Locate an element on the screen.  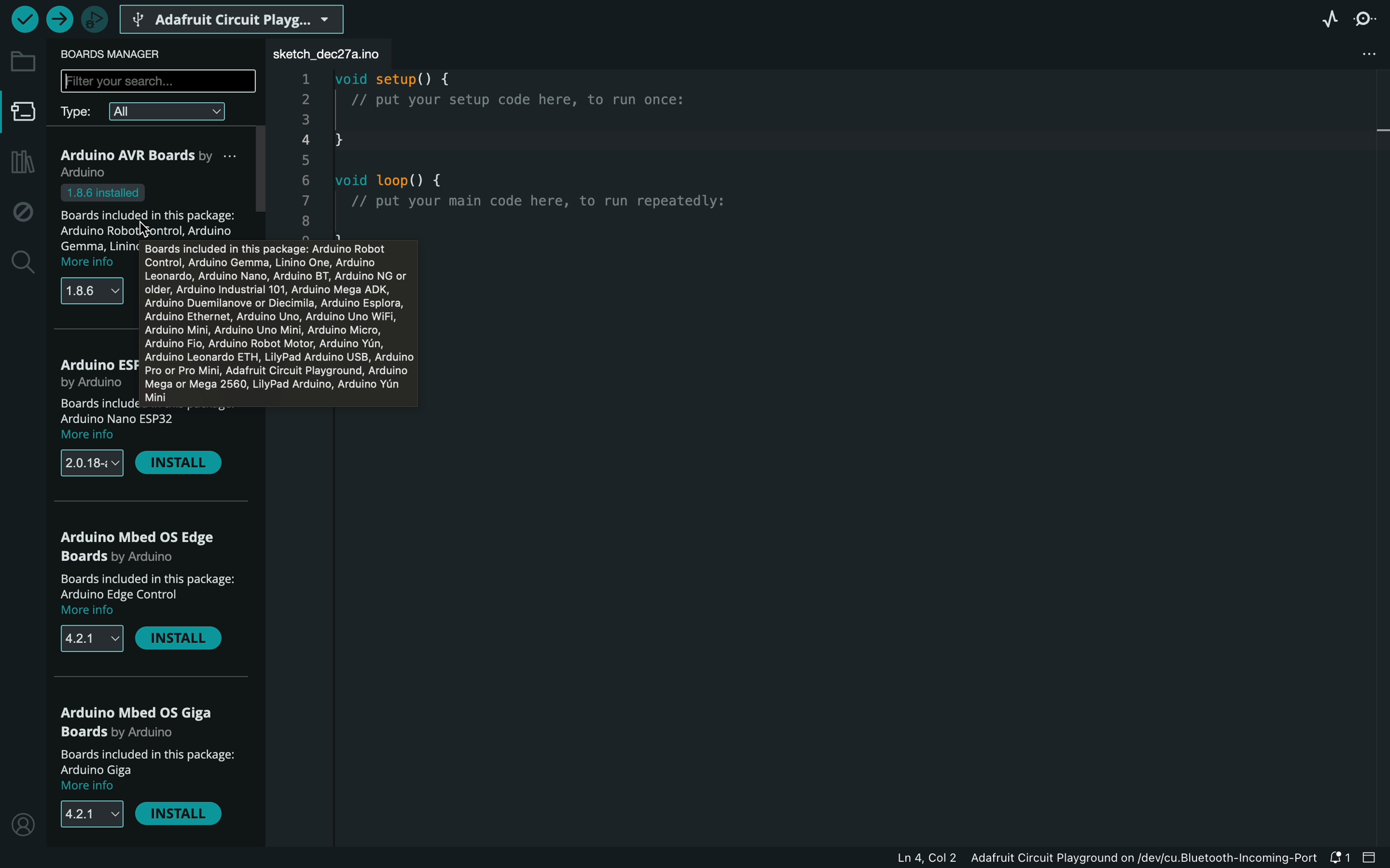
arduino boards is located at coordinates (150, 161).